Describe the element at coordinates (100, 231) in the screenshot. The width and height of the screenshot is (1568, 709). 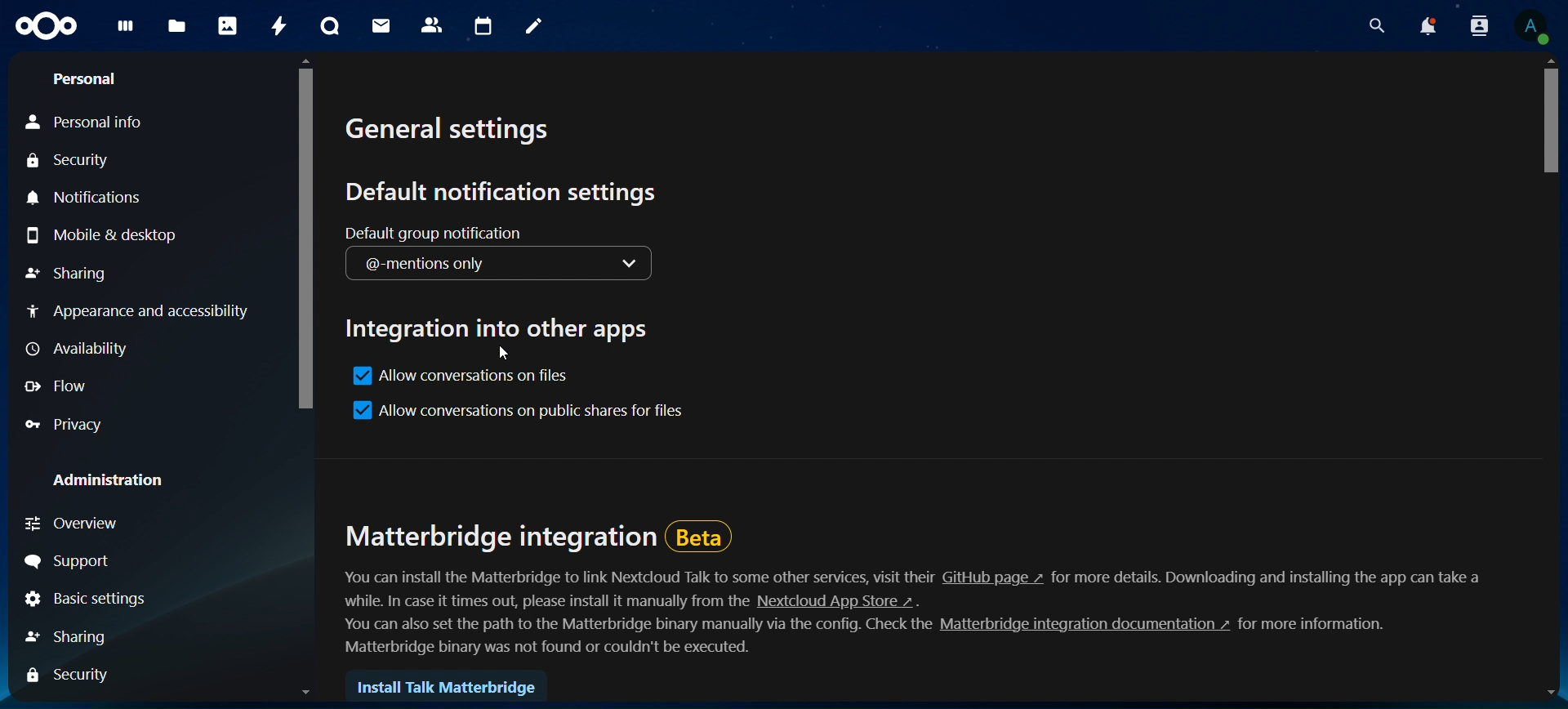
I see `mobile & desktop` at that location.